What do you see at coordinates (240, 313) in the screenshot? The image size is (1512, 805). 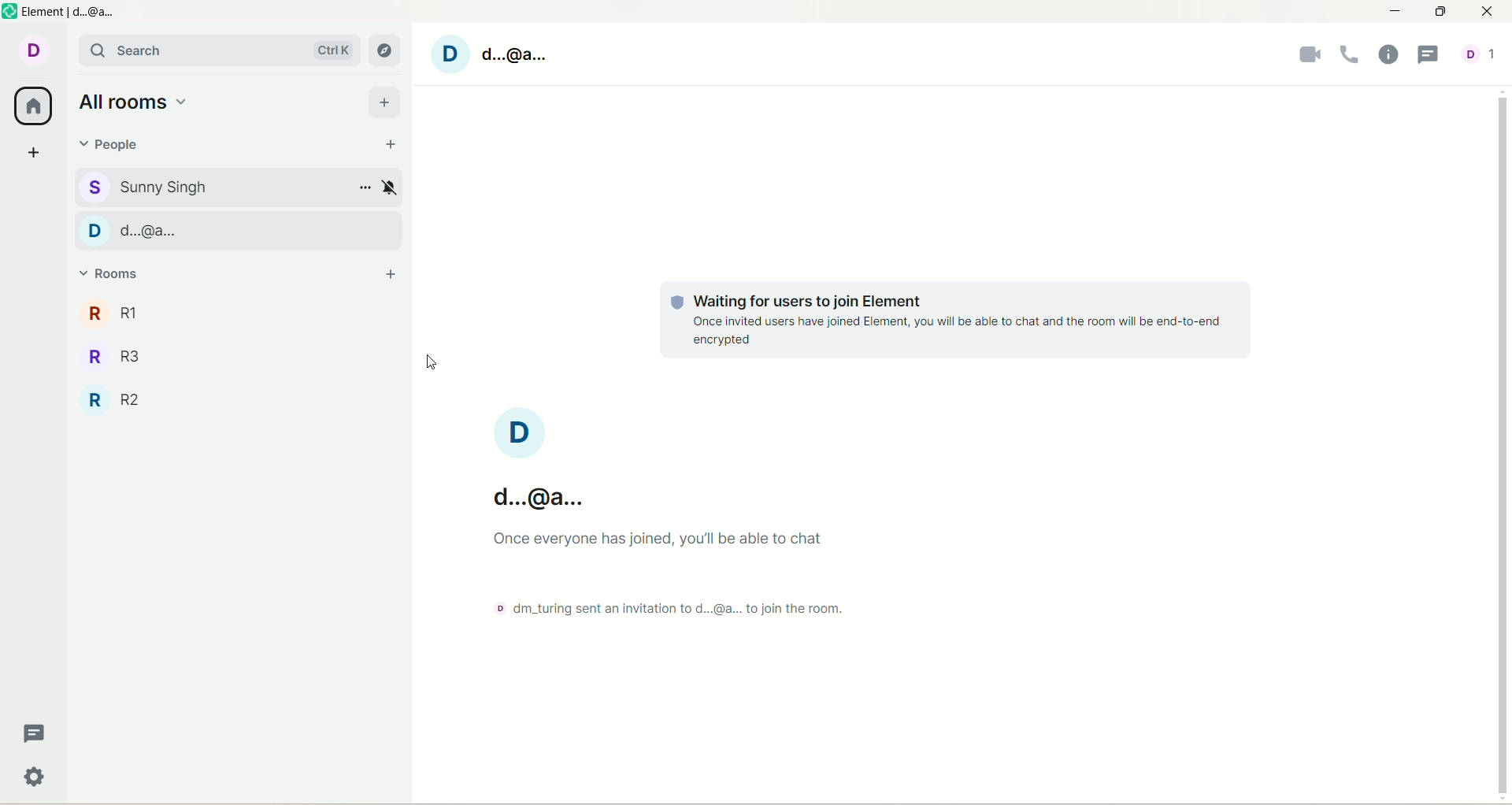 I see `R1` at bounding box center [240, 313].